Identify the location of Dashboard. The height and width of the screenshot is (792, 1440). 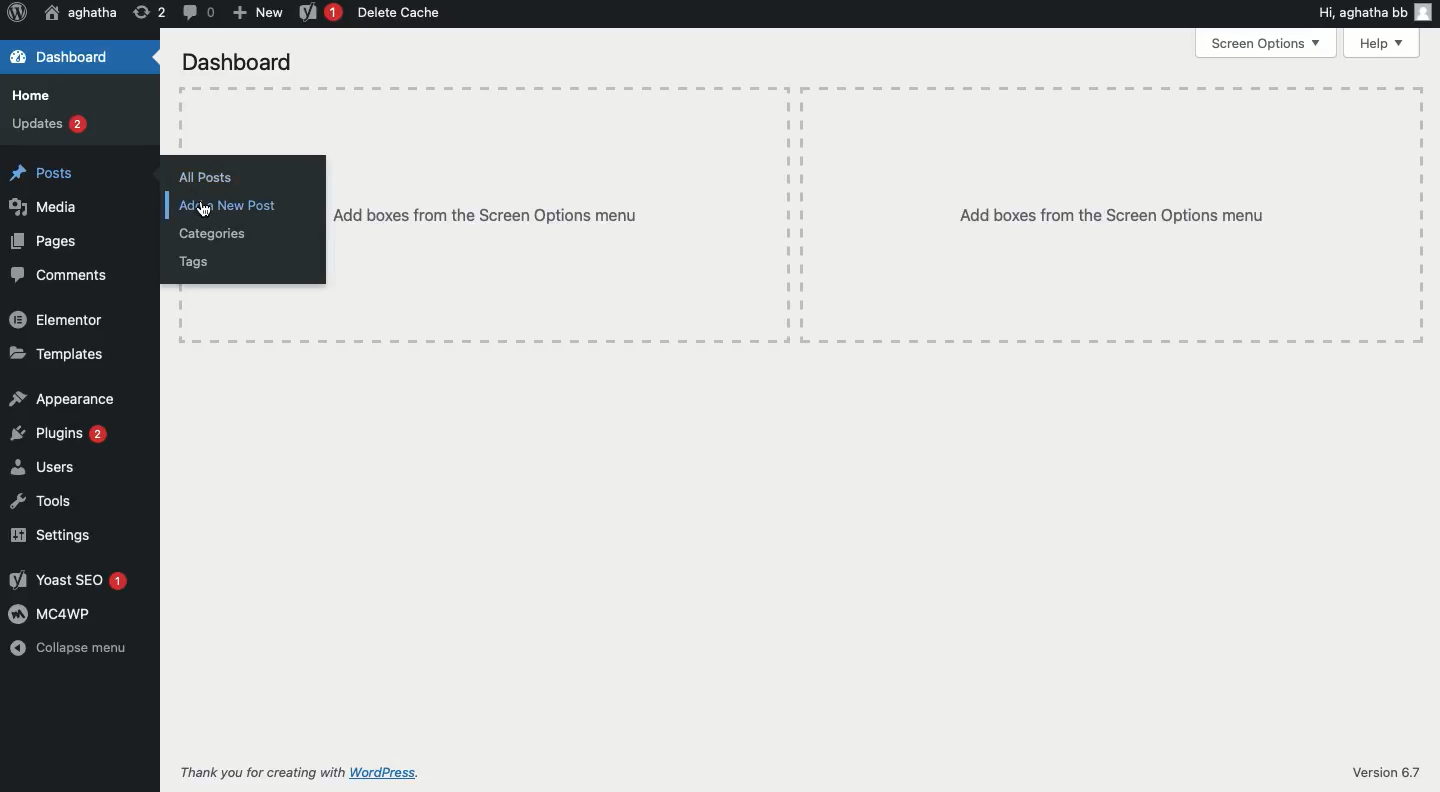
(242, 62).